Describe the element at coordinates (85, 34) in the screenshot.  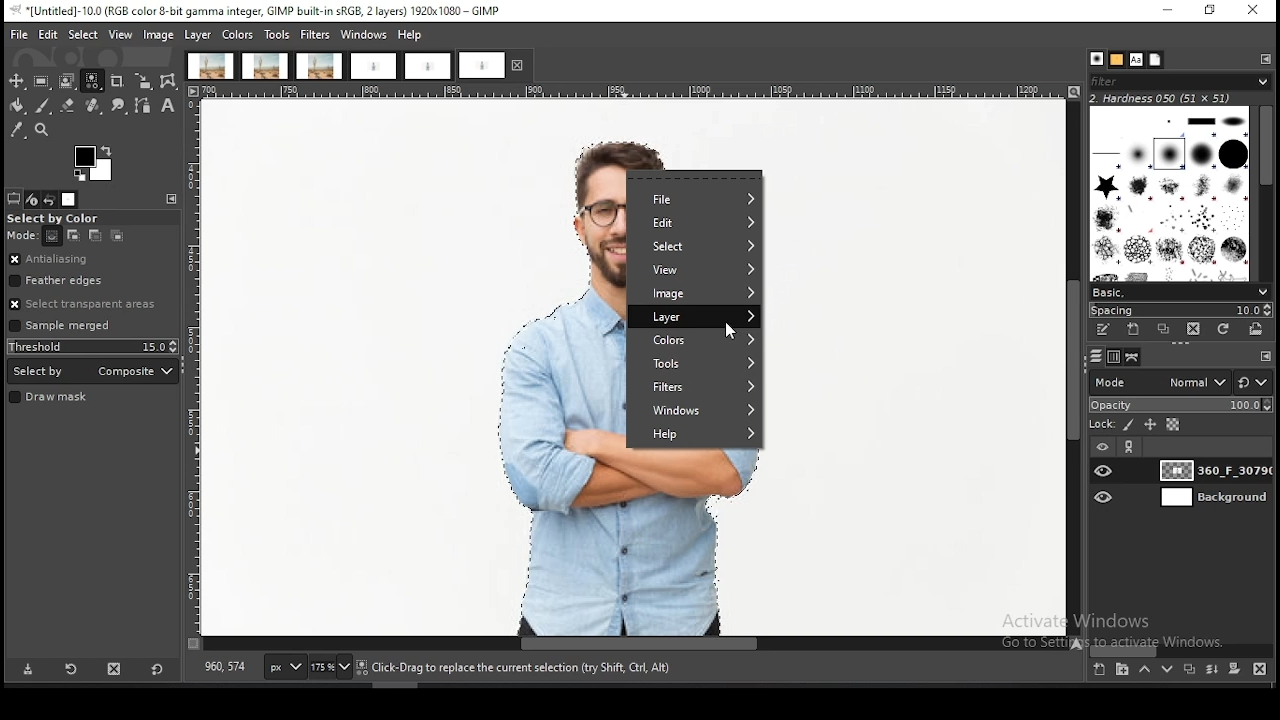
I see `select` at that location.